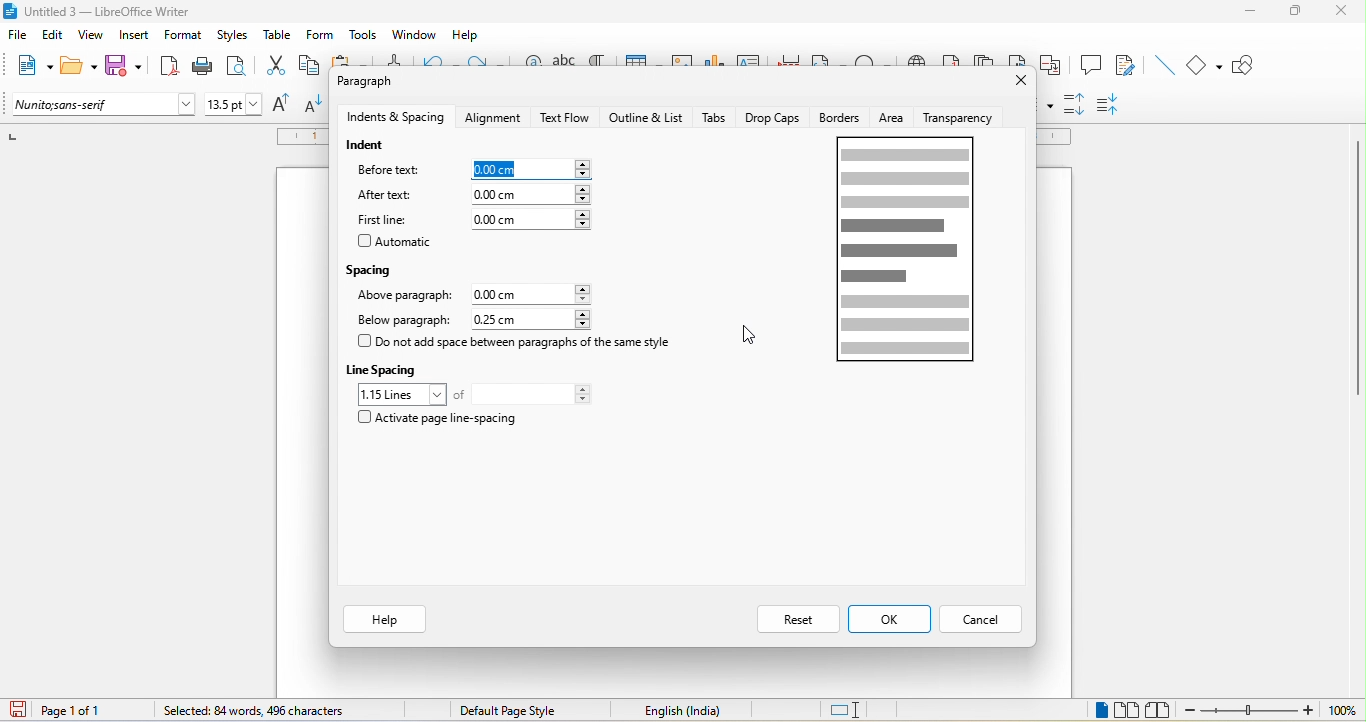  What do you see at coordinates (363, 341) in the screenshot?
I see `checkbox` at bounding box center [363, 341].